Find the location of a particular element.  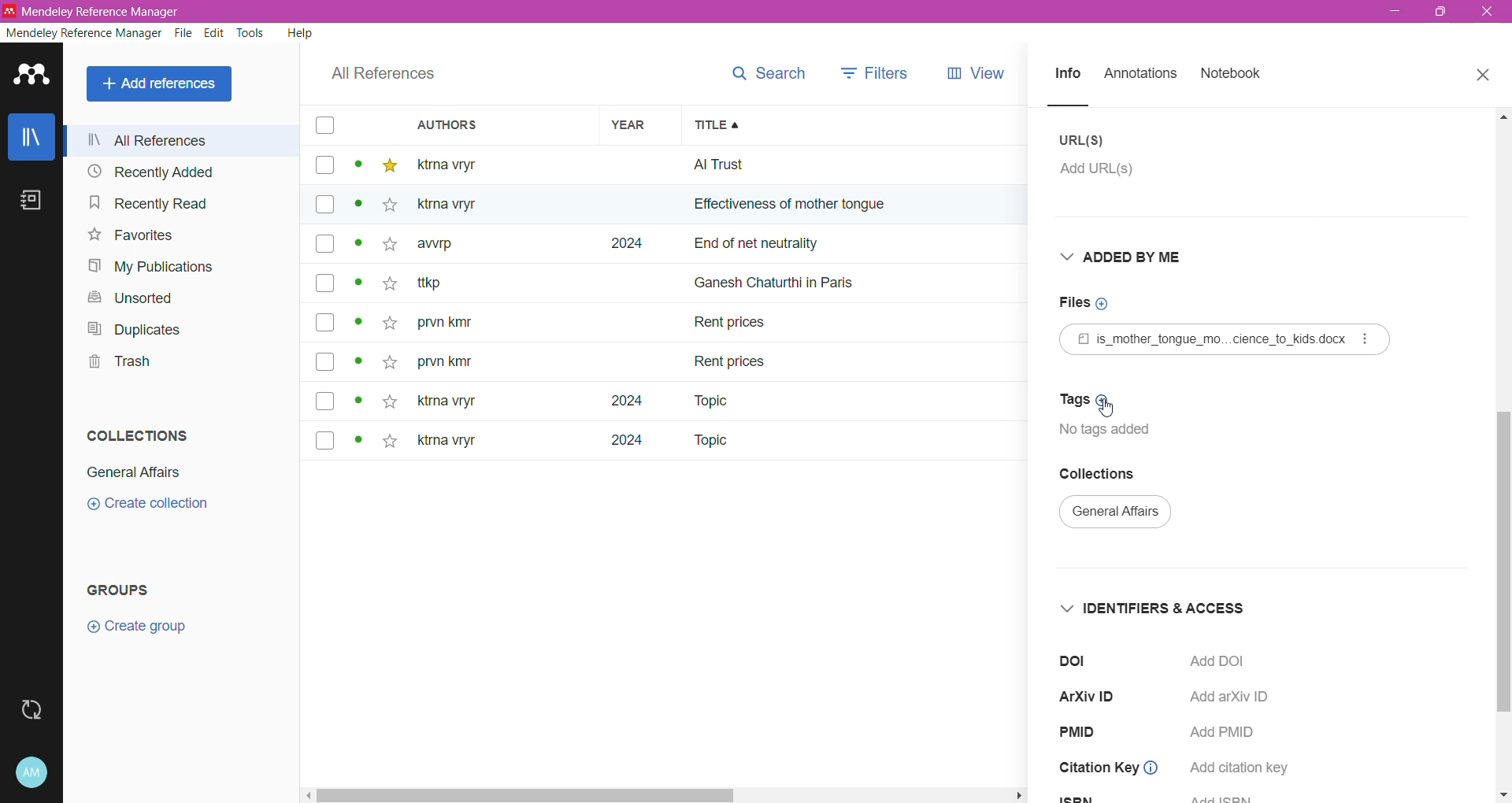

Click to add URL(s) is located at coordinates (1107, 173).